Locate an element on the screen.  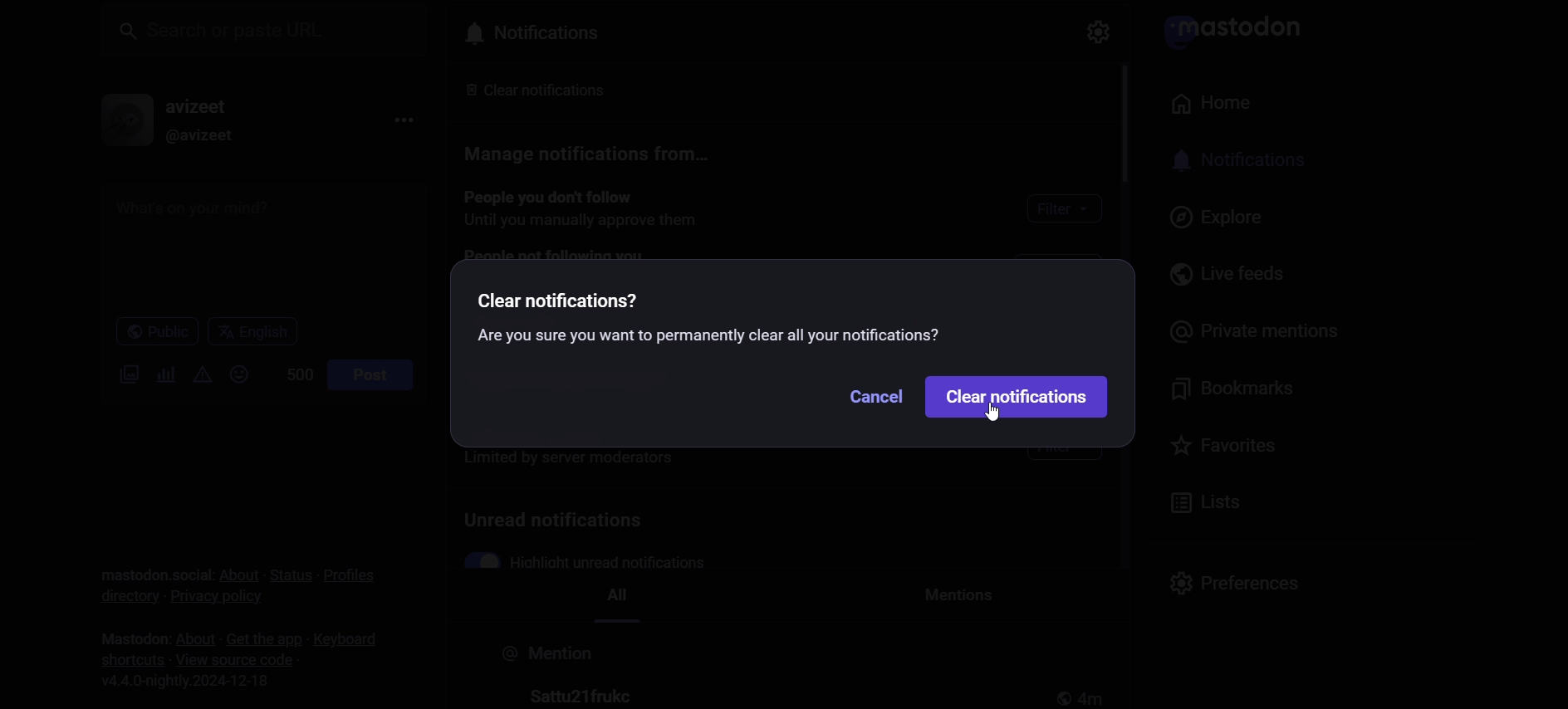
Clear Notification is located at coordinates (1016, 396).